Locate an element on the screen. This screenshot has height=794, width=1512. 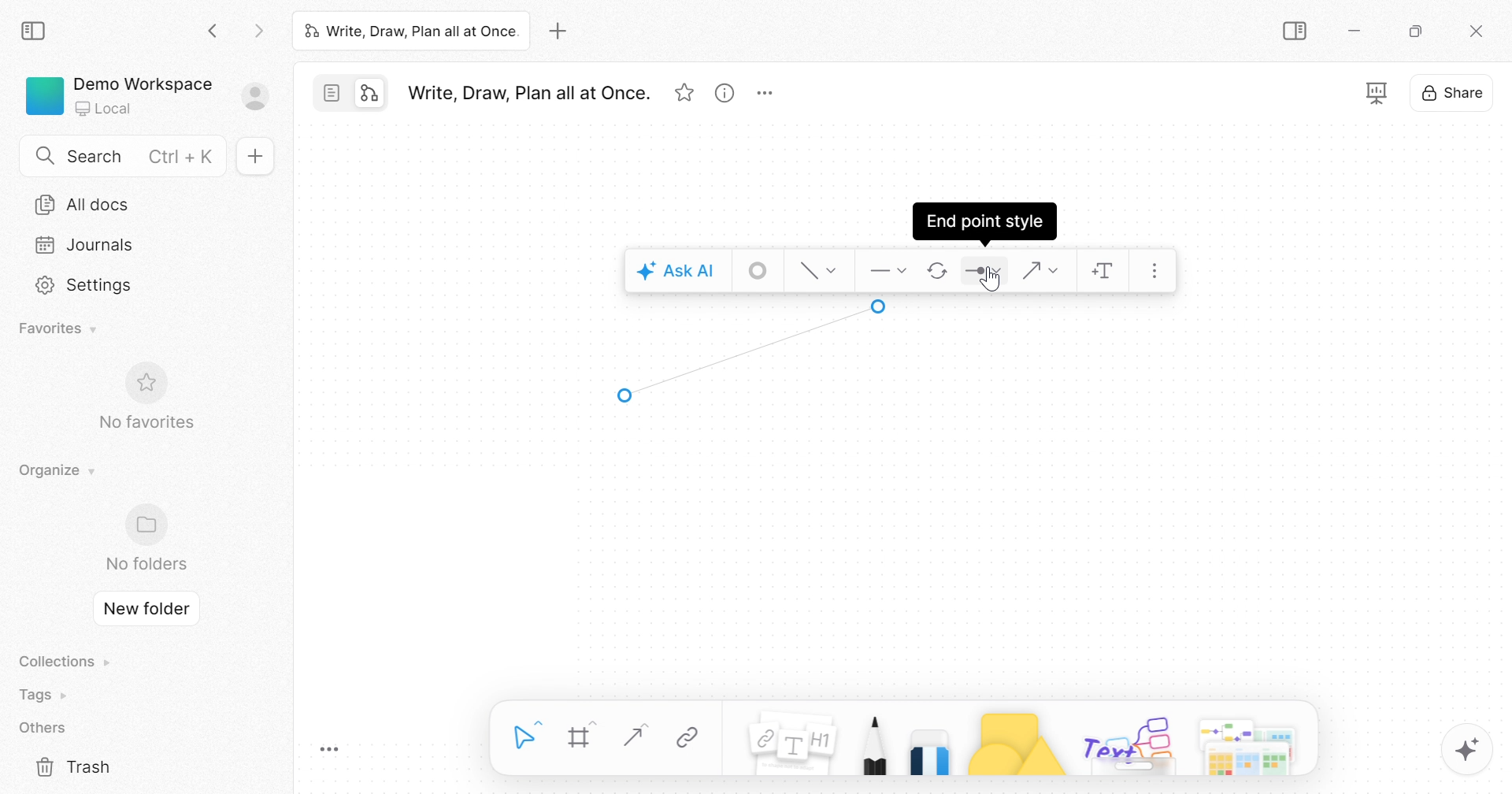
Share is located at coordinates (1453, 96).